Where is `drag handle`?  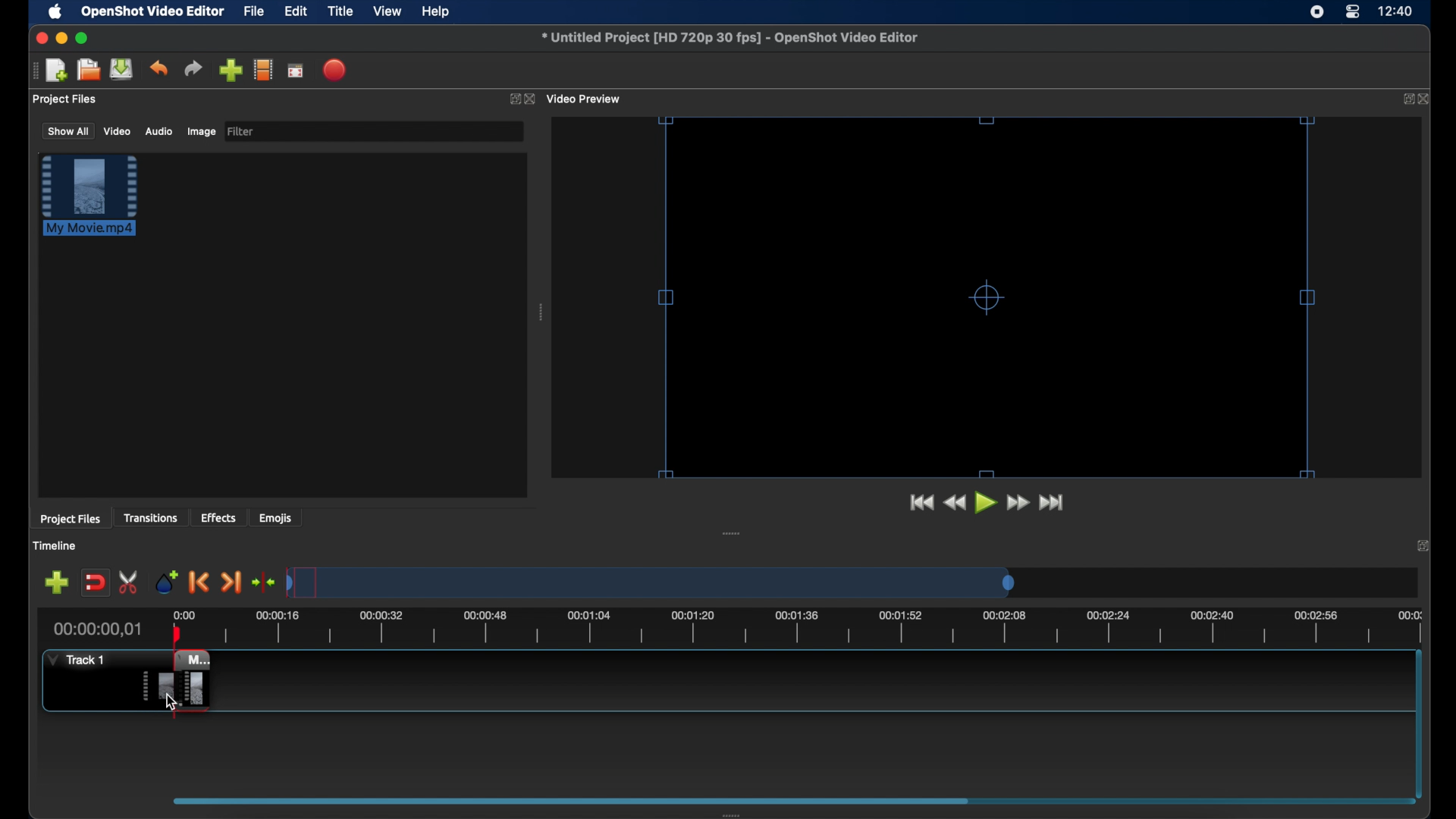 drag handle is located at coordinates (33, 71).